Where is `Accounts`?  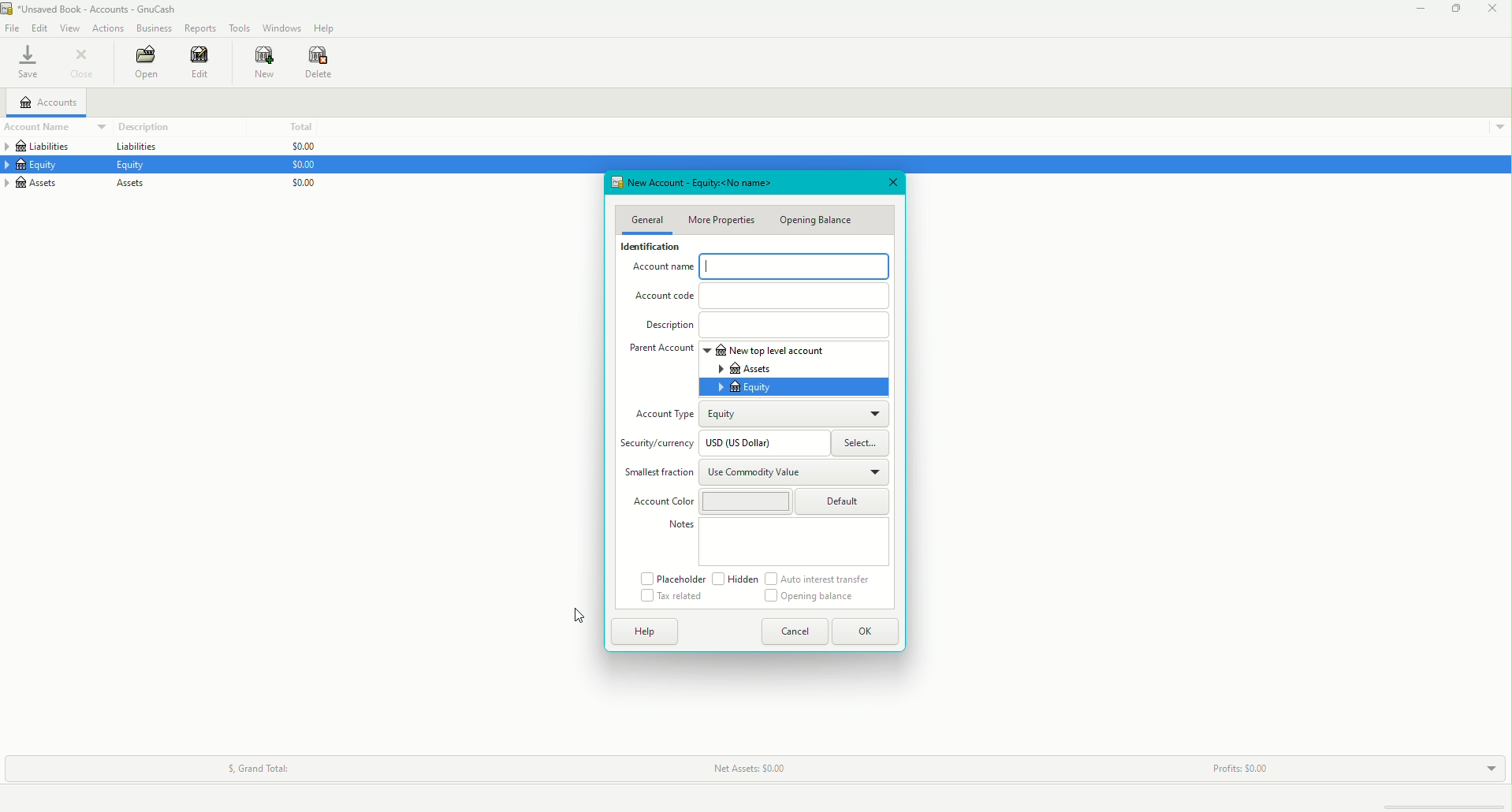
Accounts is located at coordinates (48, 102).